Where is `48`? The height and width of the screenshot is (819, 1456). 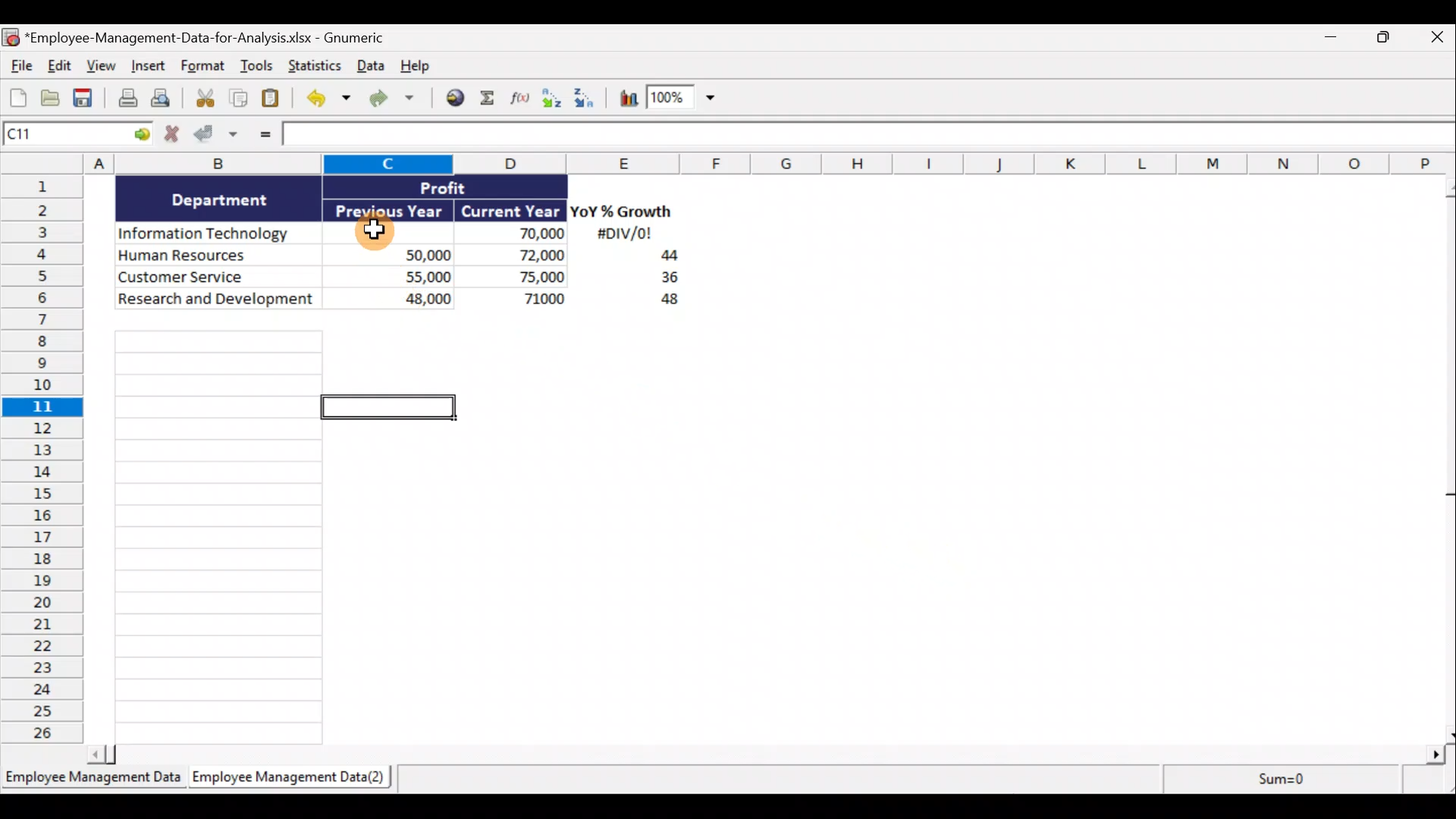
48 is located at coordinates (661, 302).